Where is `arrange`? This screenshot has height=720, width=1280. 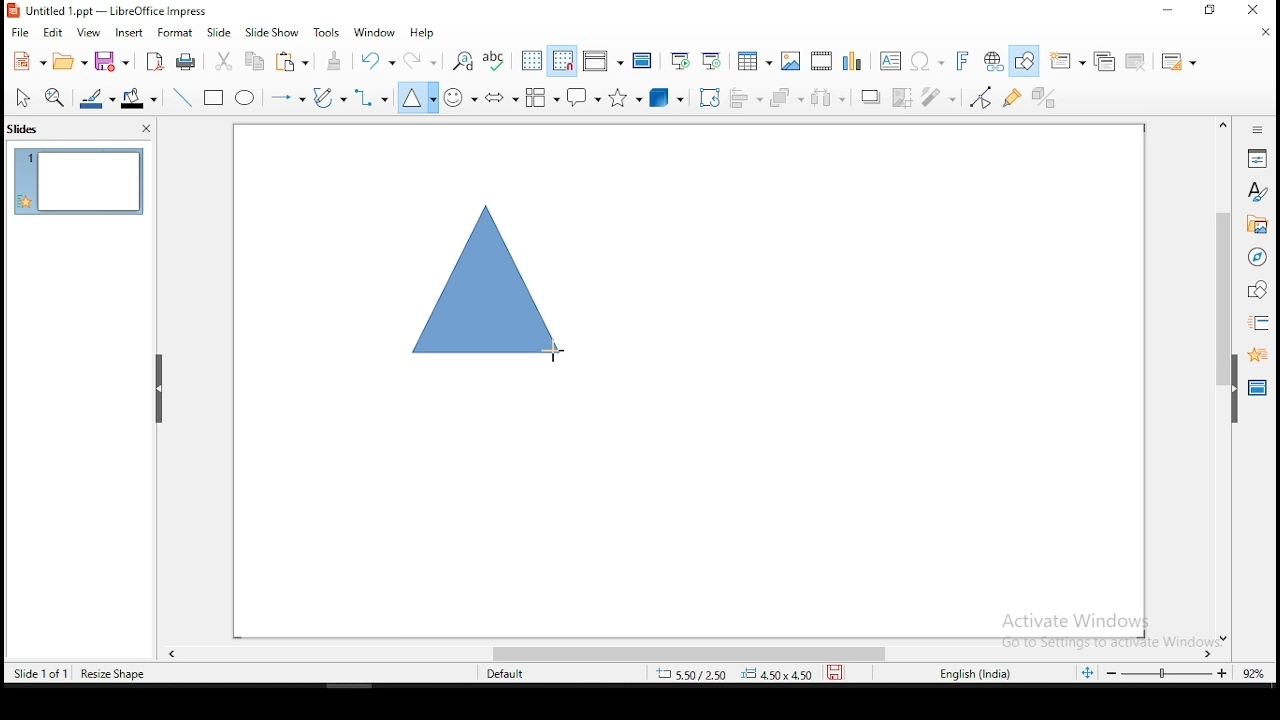 arrange is located at coordinates (789, 97).